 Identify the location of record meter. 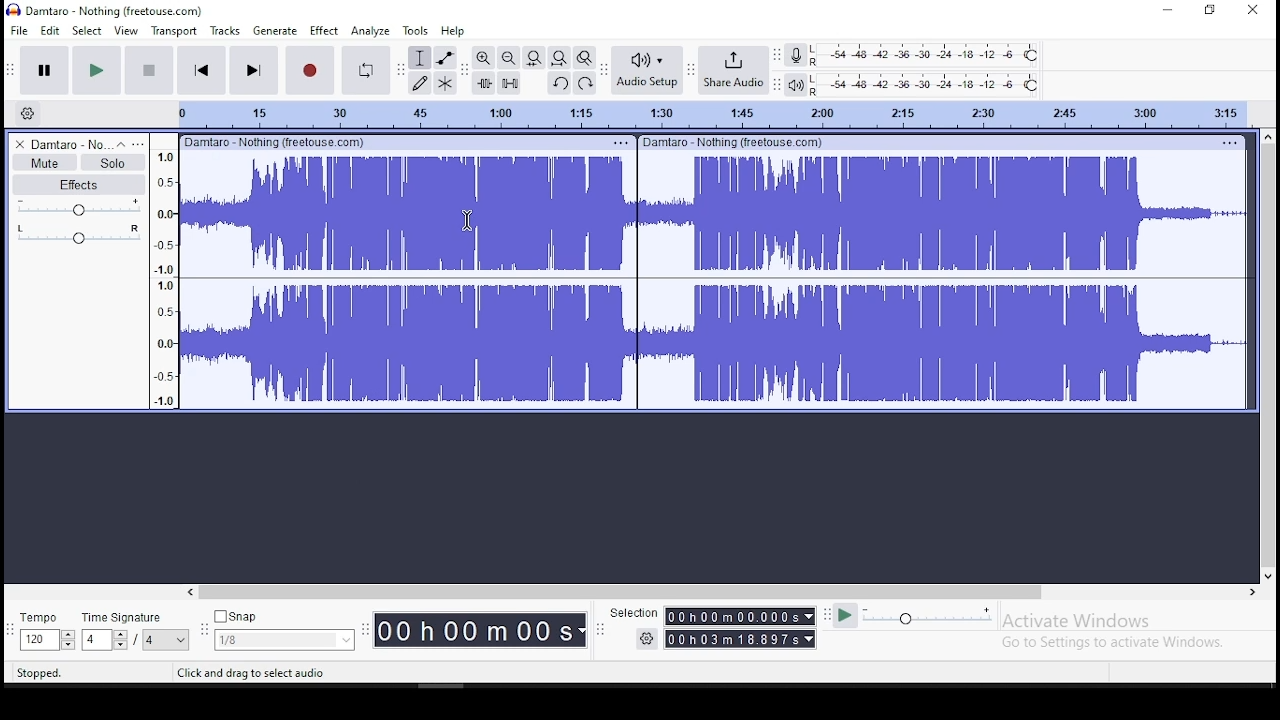
(794, 56).